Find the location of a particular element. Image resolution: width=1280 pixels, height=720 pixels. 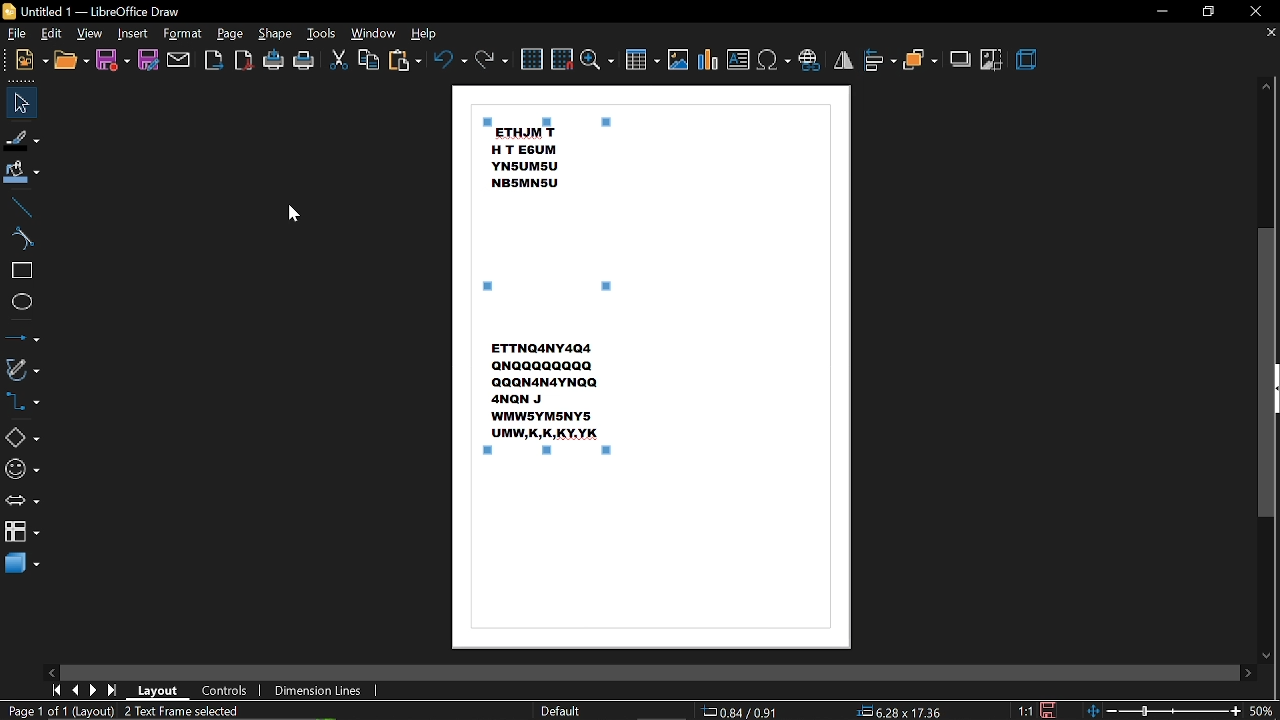

edit is located at coordinates (53, 34).